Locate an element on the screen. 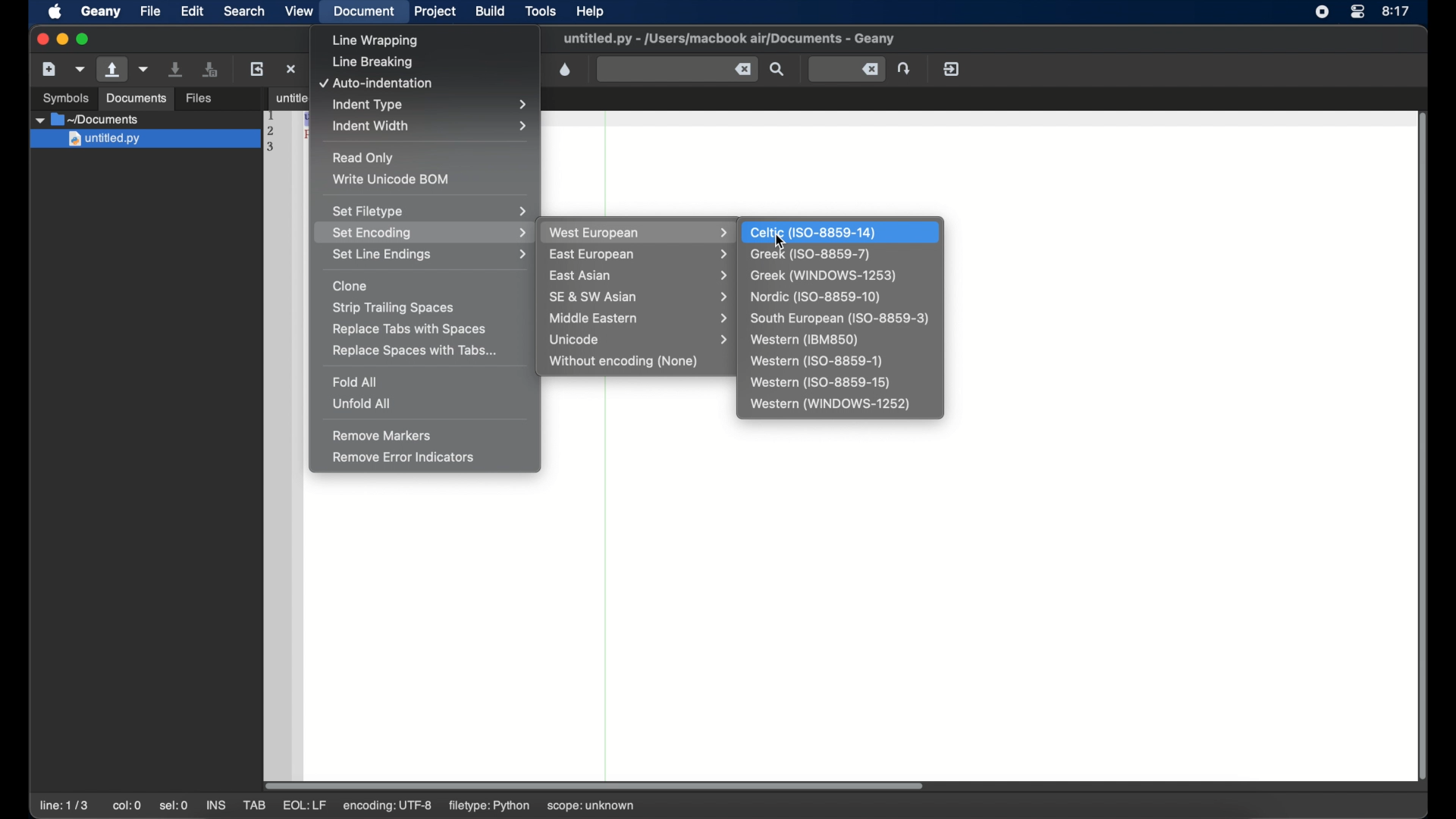 Image resolution: width=1456 pixels, height=819 pixels. tab is located at coordinates (253, 805).